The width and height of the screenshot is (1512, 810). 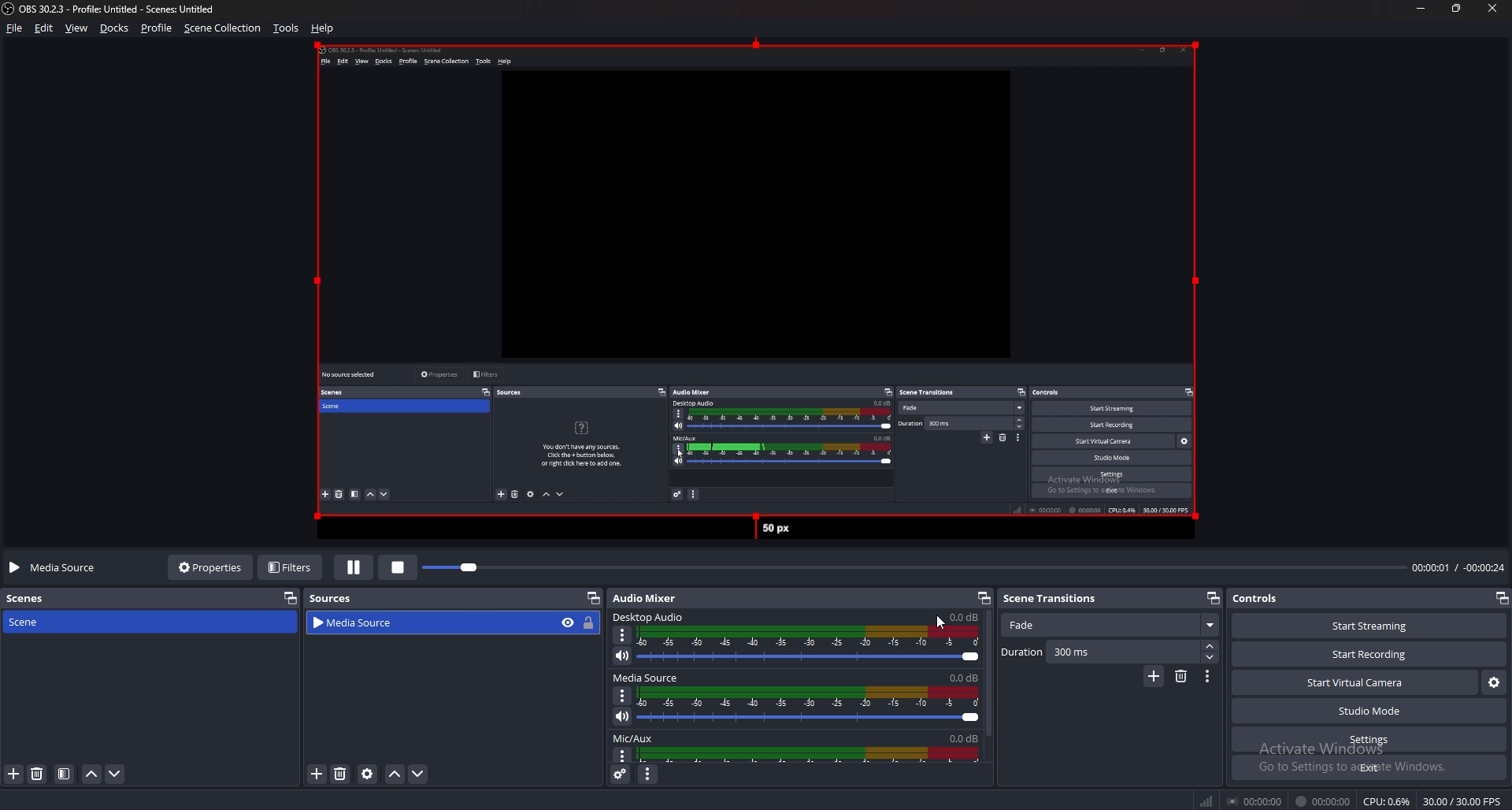 What do you see at coordinates (1372, 626) in the screenshot?
I see `Start streaming` at bounding box center [1372, 626].